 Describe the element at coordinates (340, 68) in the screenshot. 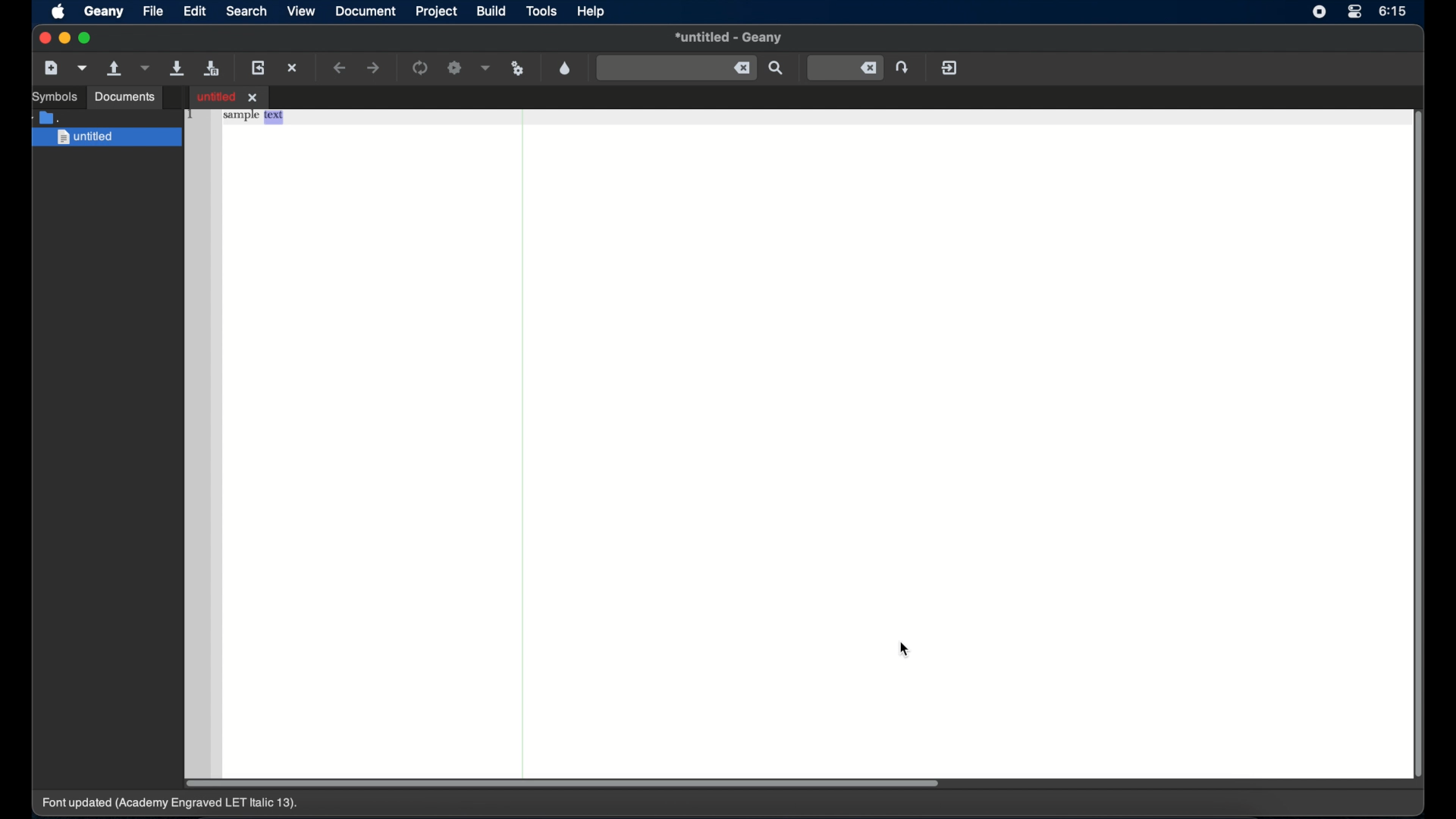

I see `navigate backward a location` at that location.